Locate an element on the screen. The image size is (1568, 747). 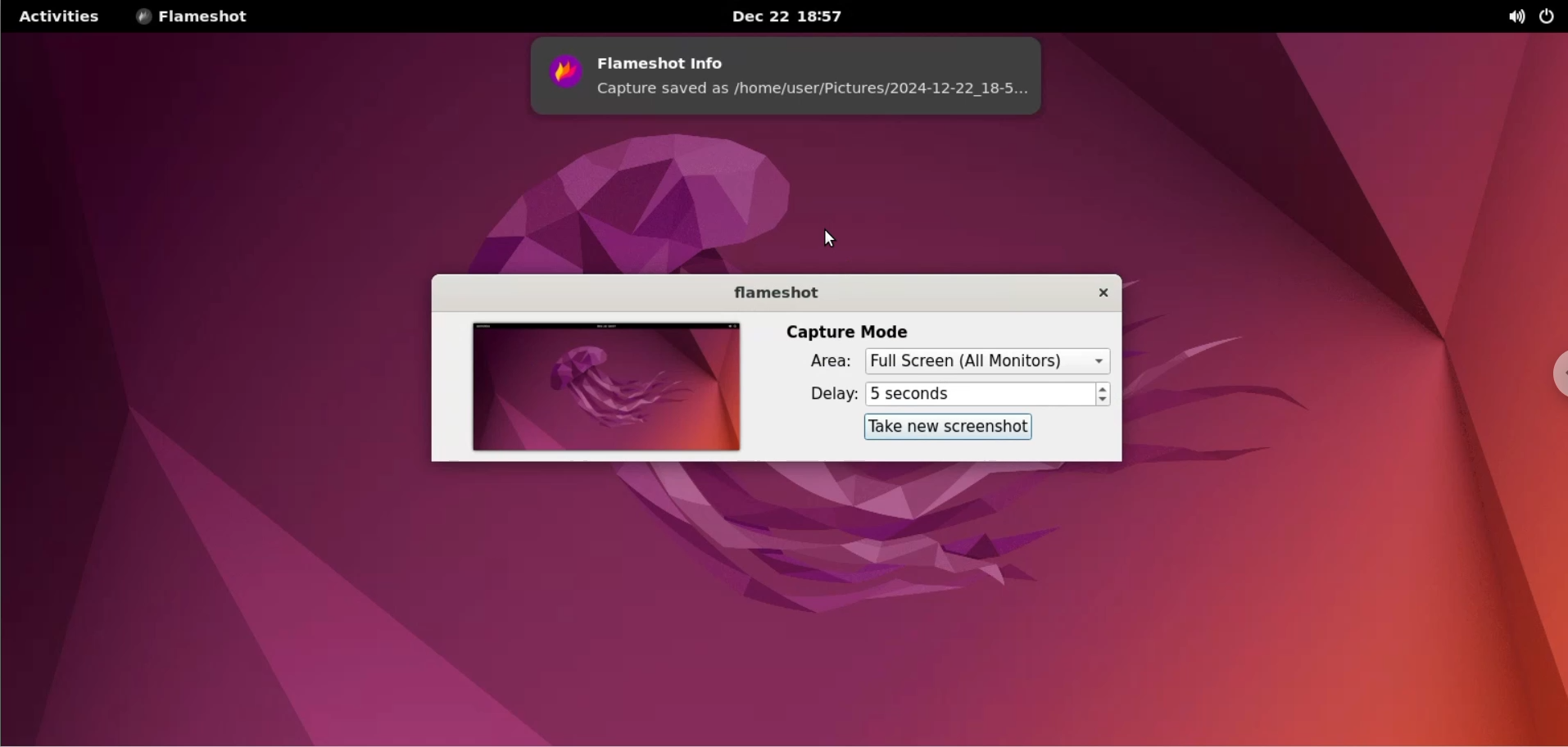
screenshot preview is located at coordinates (602, 388).